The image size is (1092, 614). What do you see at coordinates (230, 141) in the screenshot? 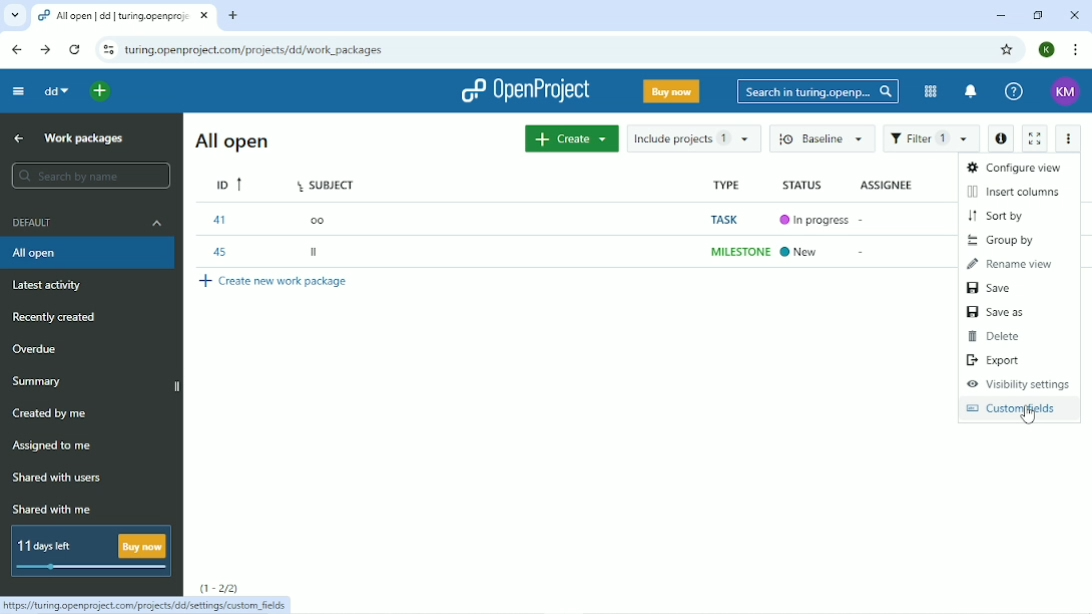
I see `All open` at bounding box center [230, 141].